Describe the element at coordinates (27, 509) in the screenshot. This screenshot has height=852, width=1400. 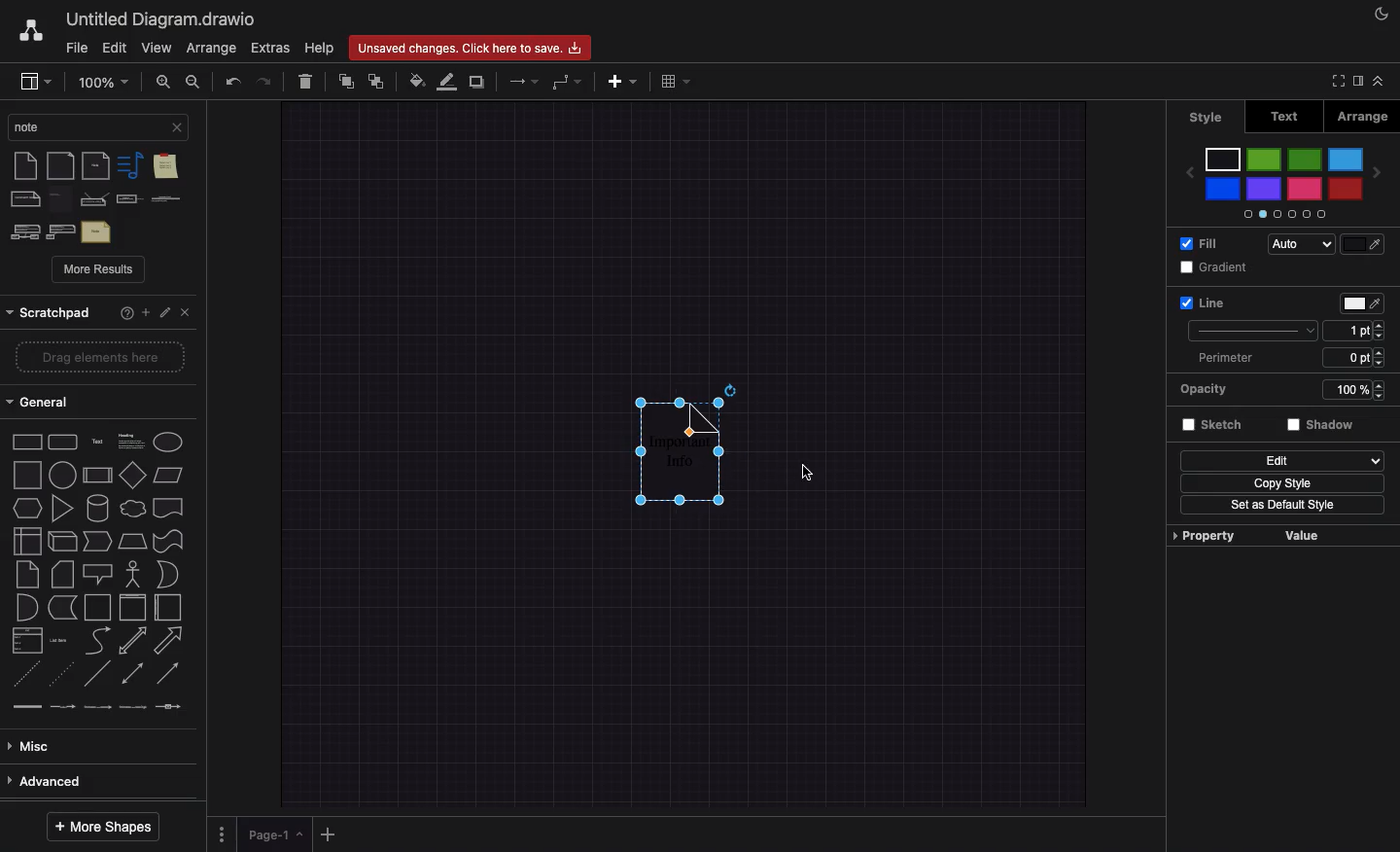
I see `hexagon` at that location.